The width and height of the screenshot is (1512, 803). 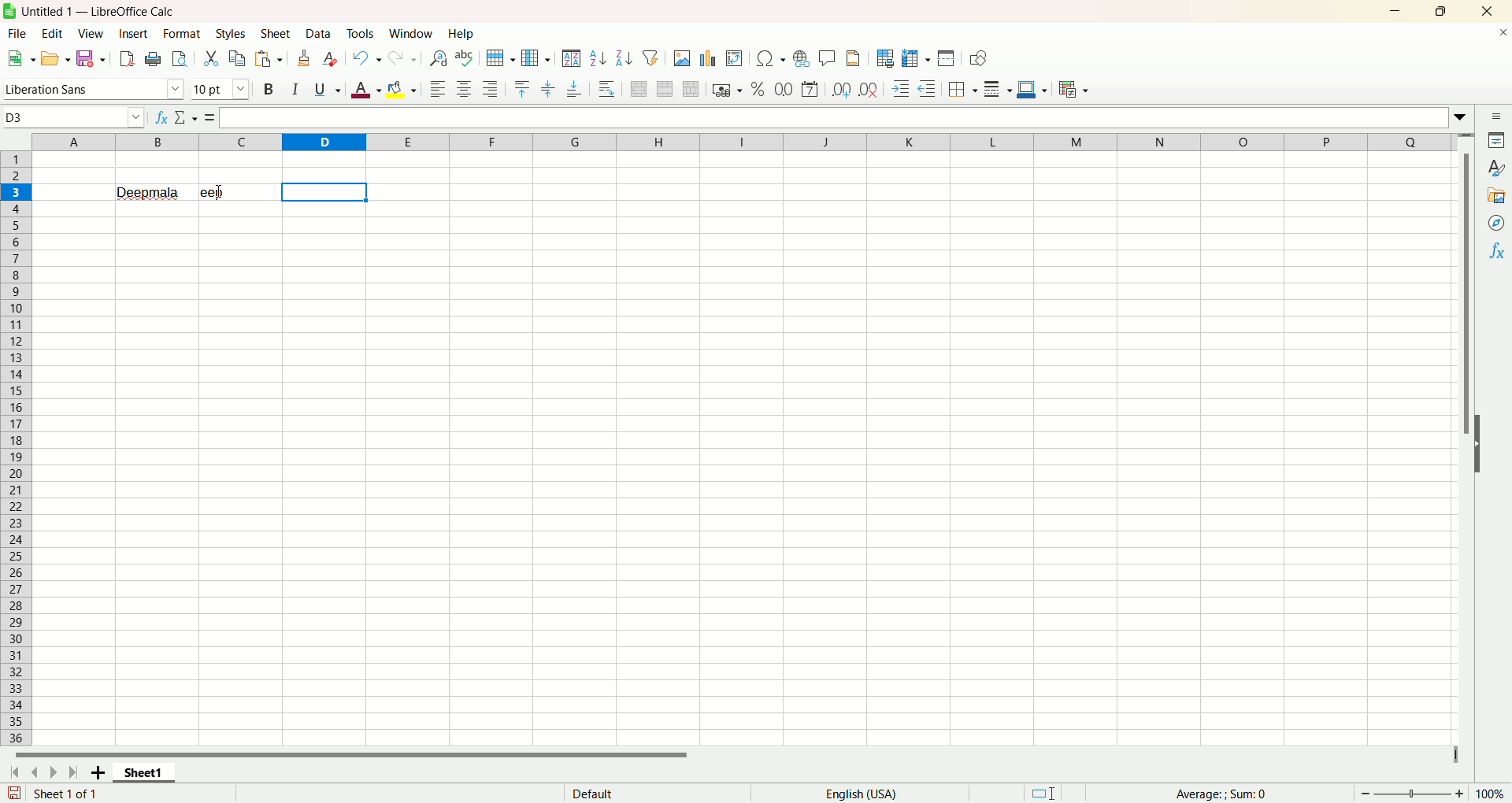 What do you see at coordinates (536, 58) in the screenshot?
I see `Column` at bounding box center [536, 58].